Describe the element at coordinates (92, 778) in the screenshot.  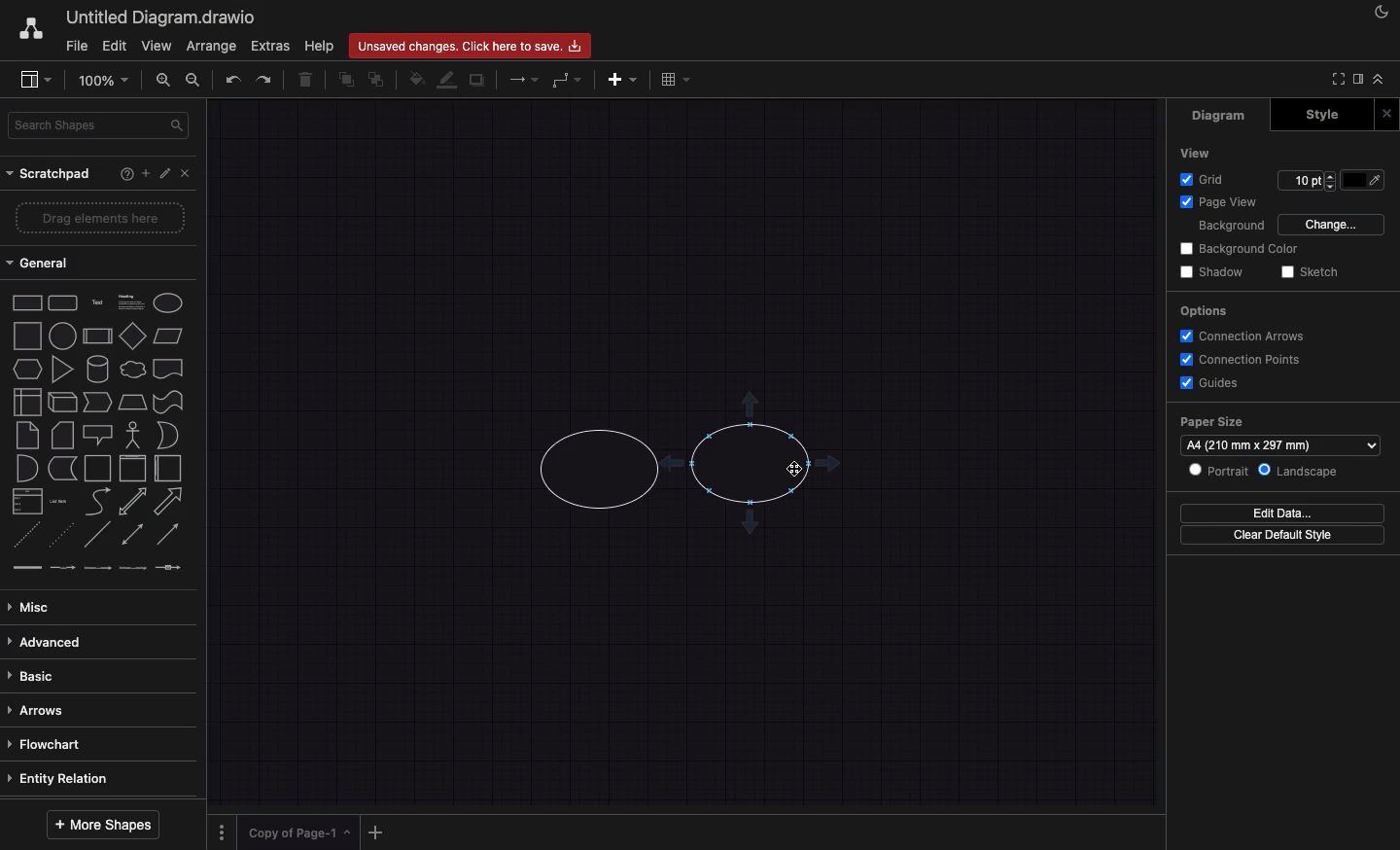
I see `entity relation` at that location.